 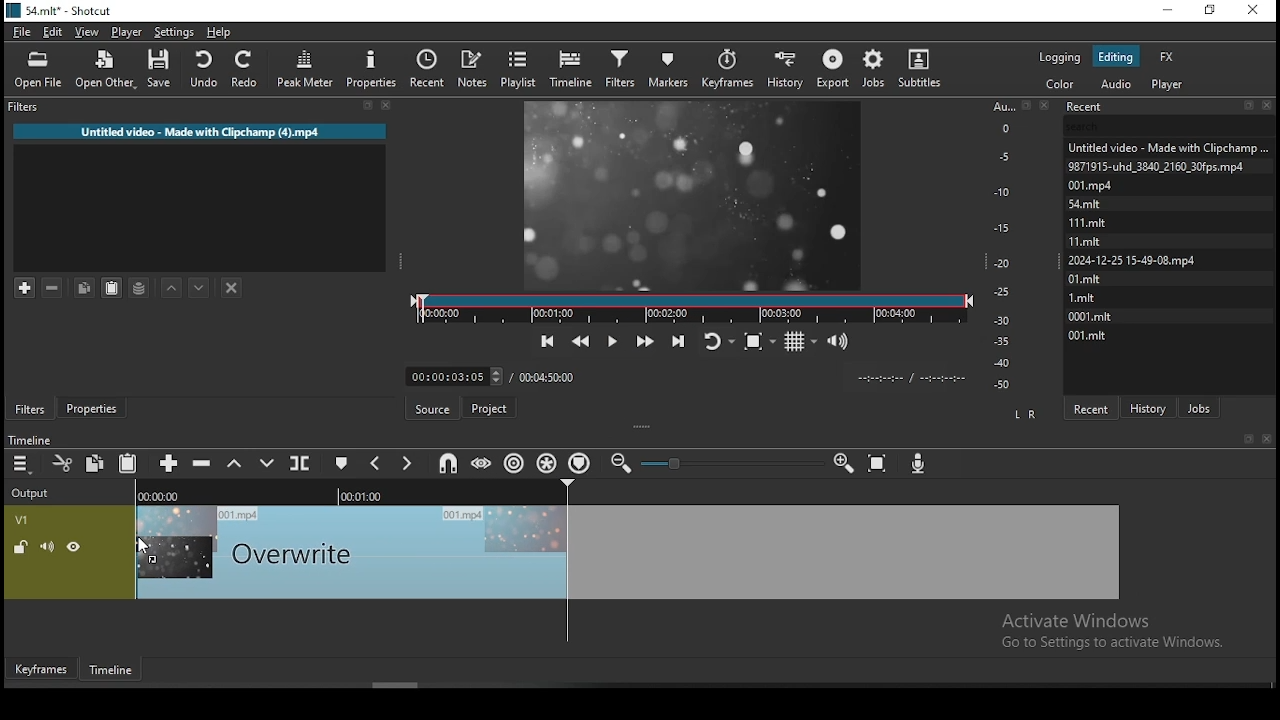 I want to click on project, so click(x=491, y=407).